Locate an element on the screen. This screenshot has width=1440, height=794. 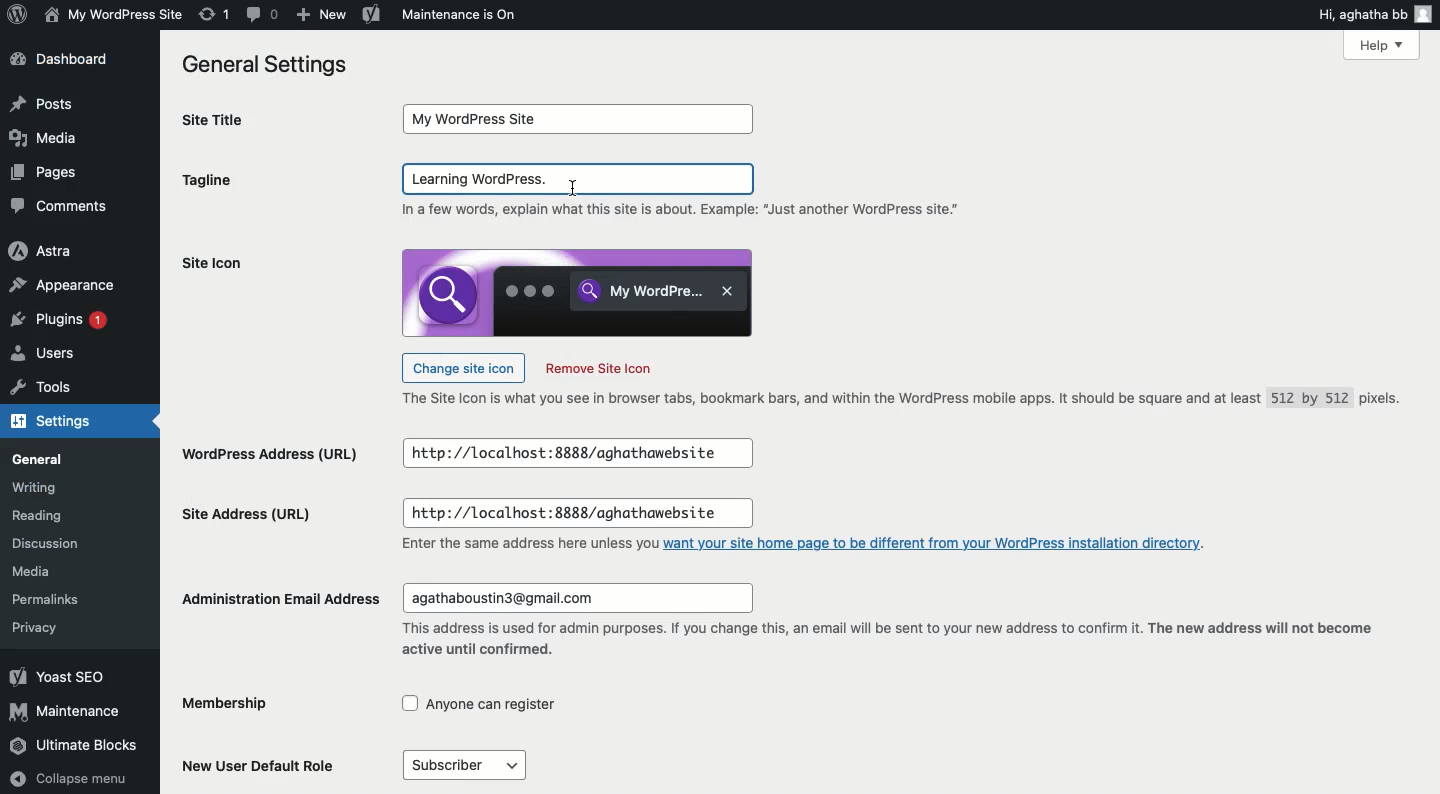
Administration email address is located at coordinates (283, 598).